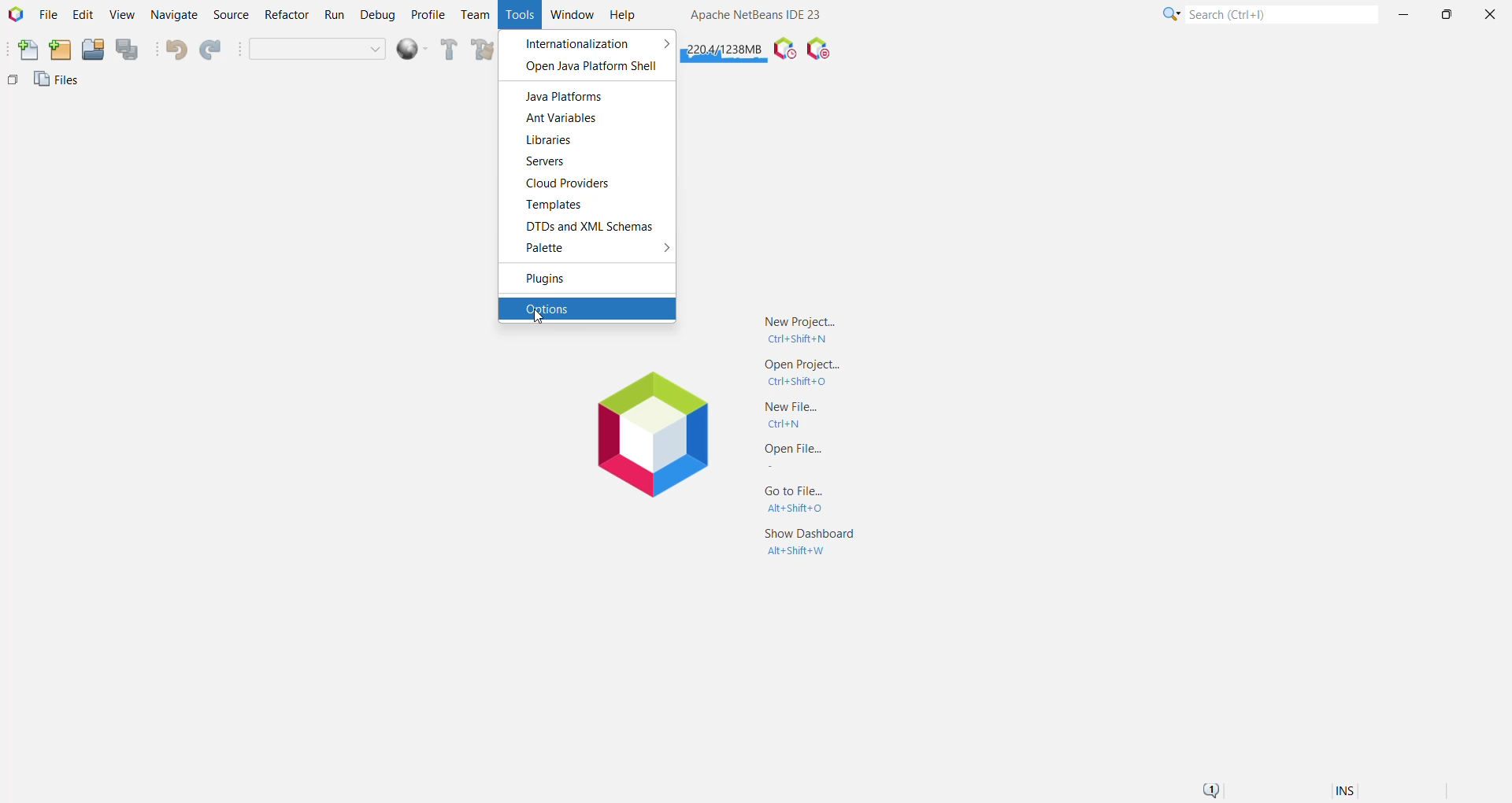  I want to click on Java Platforms, so click(569, 96).